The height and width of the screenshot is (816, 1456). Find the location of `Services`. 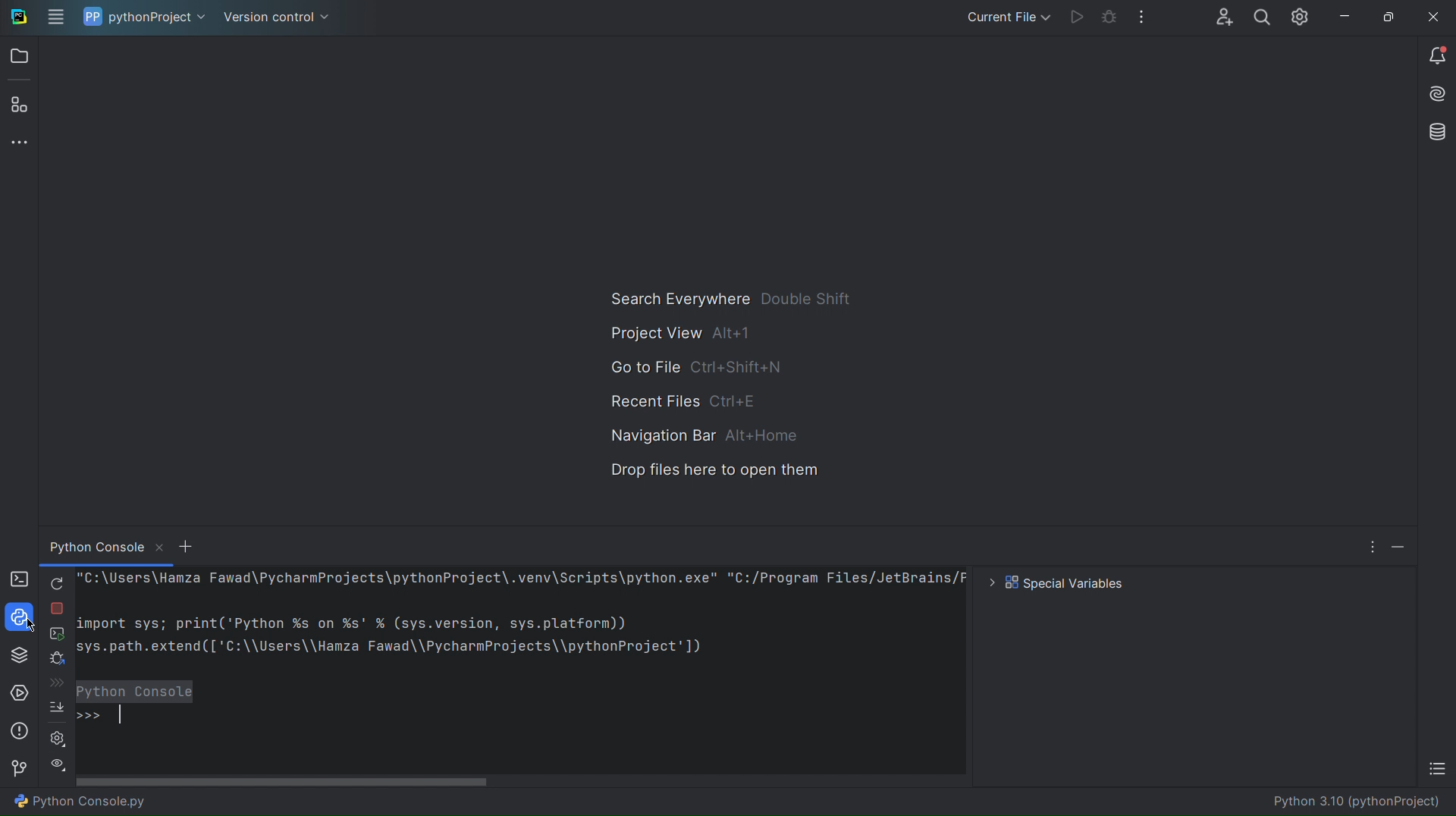

Services is located at coordinates (21, 692).